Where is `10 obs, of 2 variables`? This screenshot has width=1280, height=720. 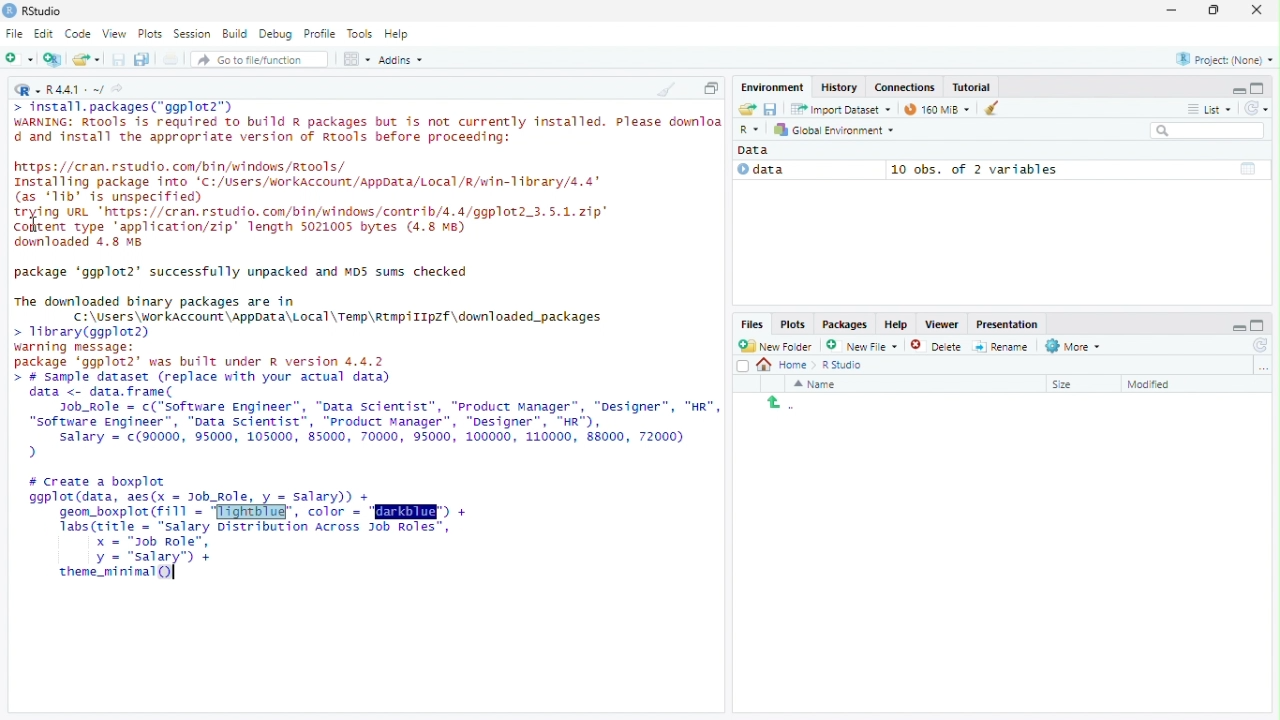
10 obs, of 2 variables is located at coordinates (1077, 169).